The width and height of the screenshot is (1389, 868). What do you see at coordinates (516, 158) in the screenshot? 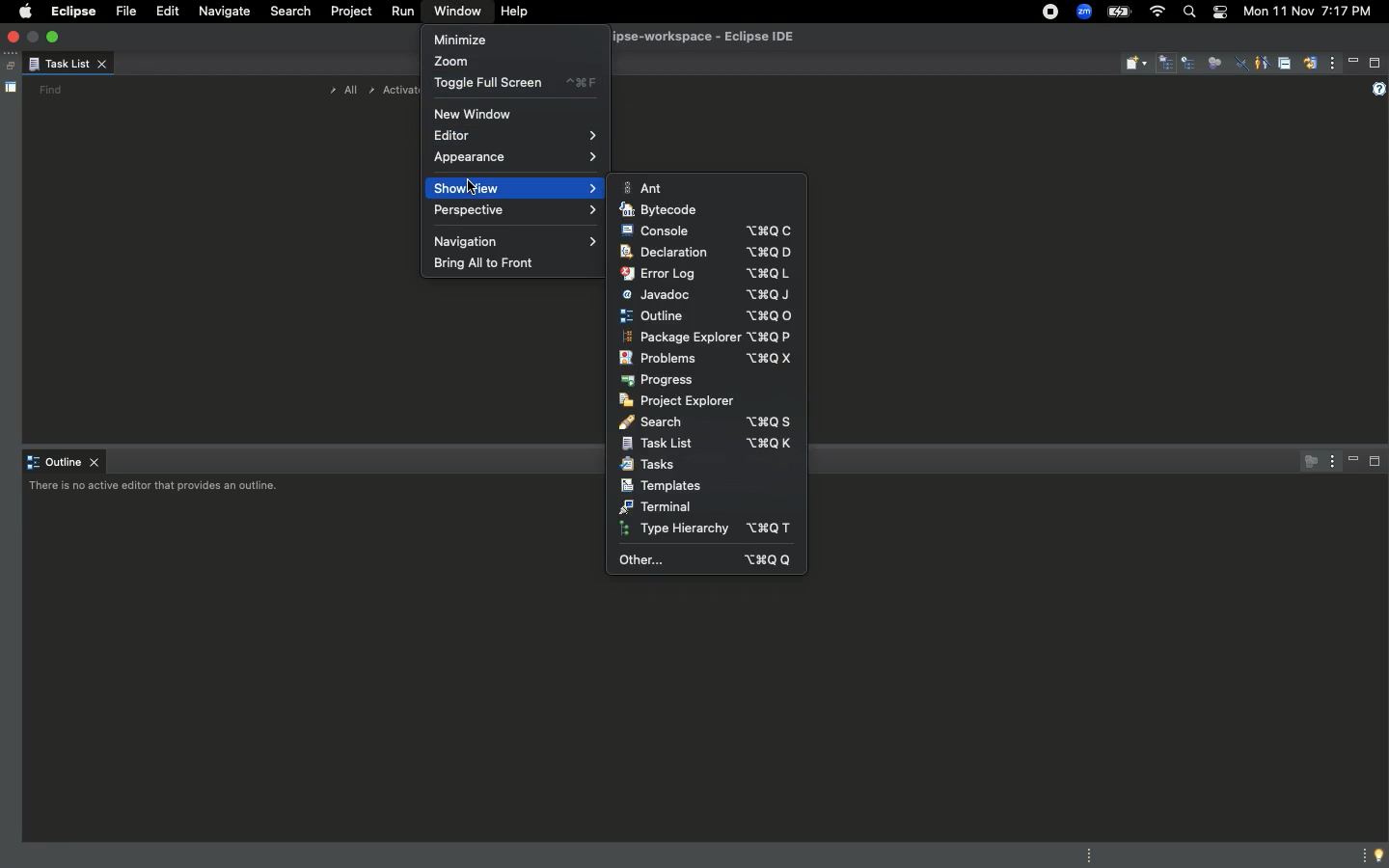
I see `Appearance` at bounding box center [516, 158].